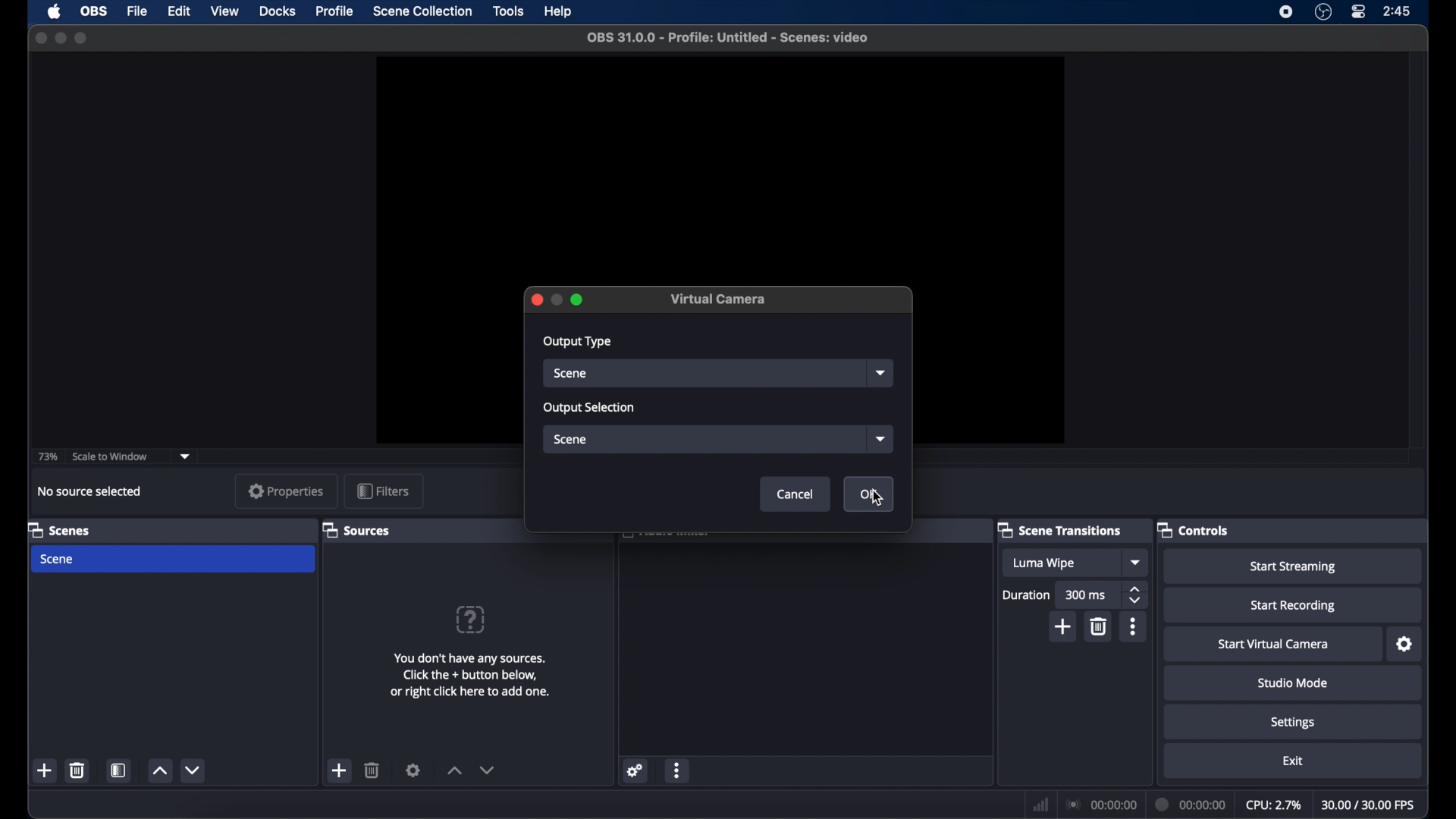 Image resolution: width=1456 pixels, height=819 pixels. I want to click on scene, so click(700, 439).